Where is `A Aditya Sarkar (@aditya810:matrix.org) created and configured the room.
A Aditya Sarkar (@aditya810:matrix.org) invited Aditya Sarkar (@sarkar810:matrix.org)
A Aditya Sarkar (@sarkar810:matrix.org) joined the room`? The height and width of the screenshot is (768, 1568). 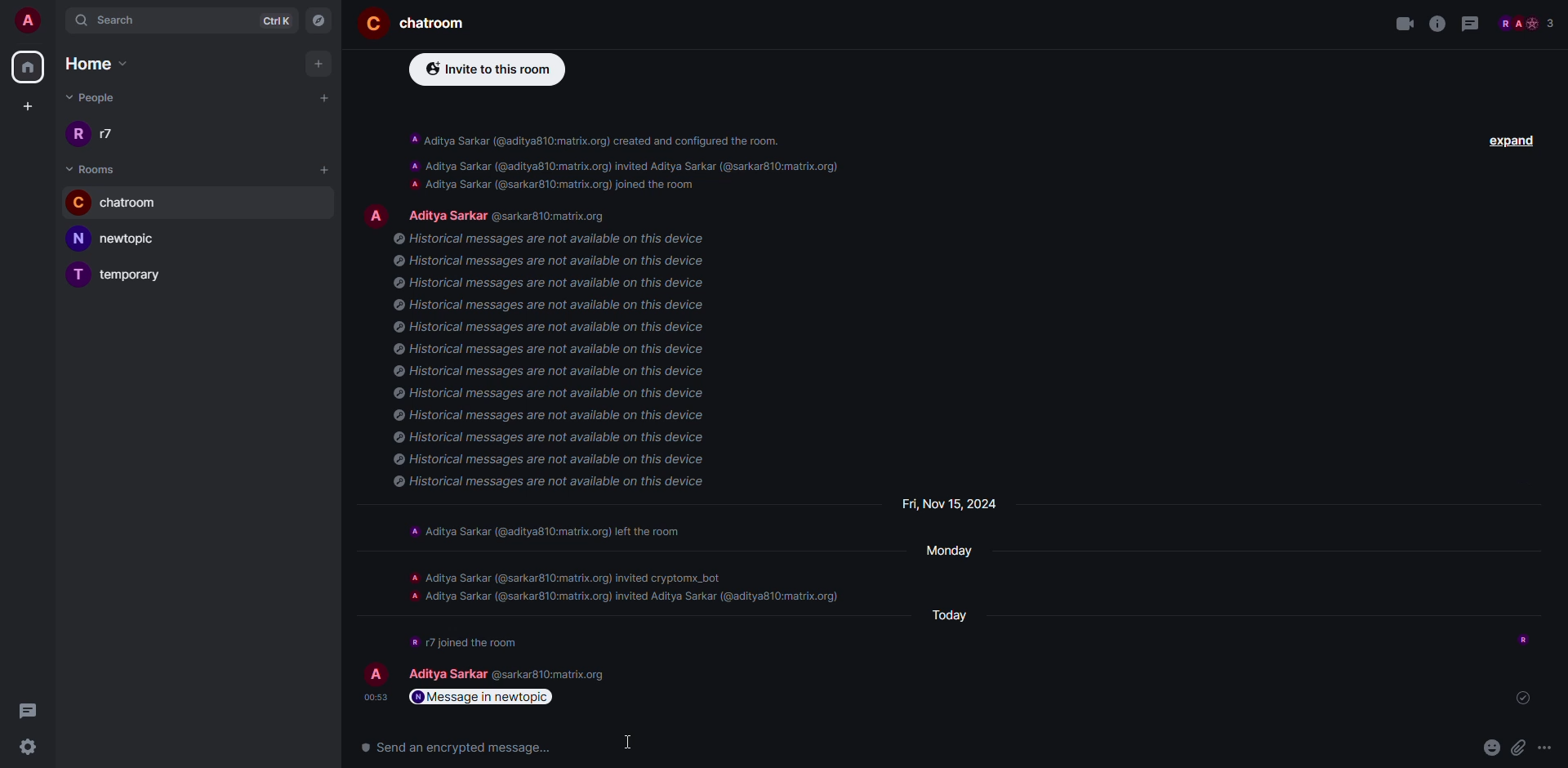
A Aditya Sarkar (@aditya810:matrix.org) created and configured the room.
A Aditya Sarkar (@aditya810:matrix.org) invited Aditya Sarkar (@sarkar810:matrix.org)
A Aditya Sarkar (@sarkar810:matrix.org) joined the room is located at coordinates (621, 155).